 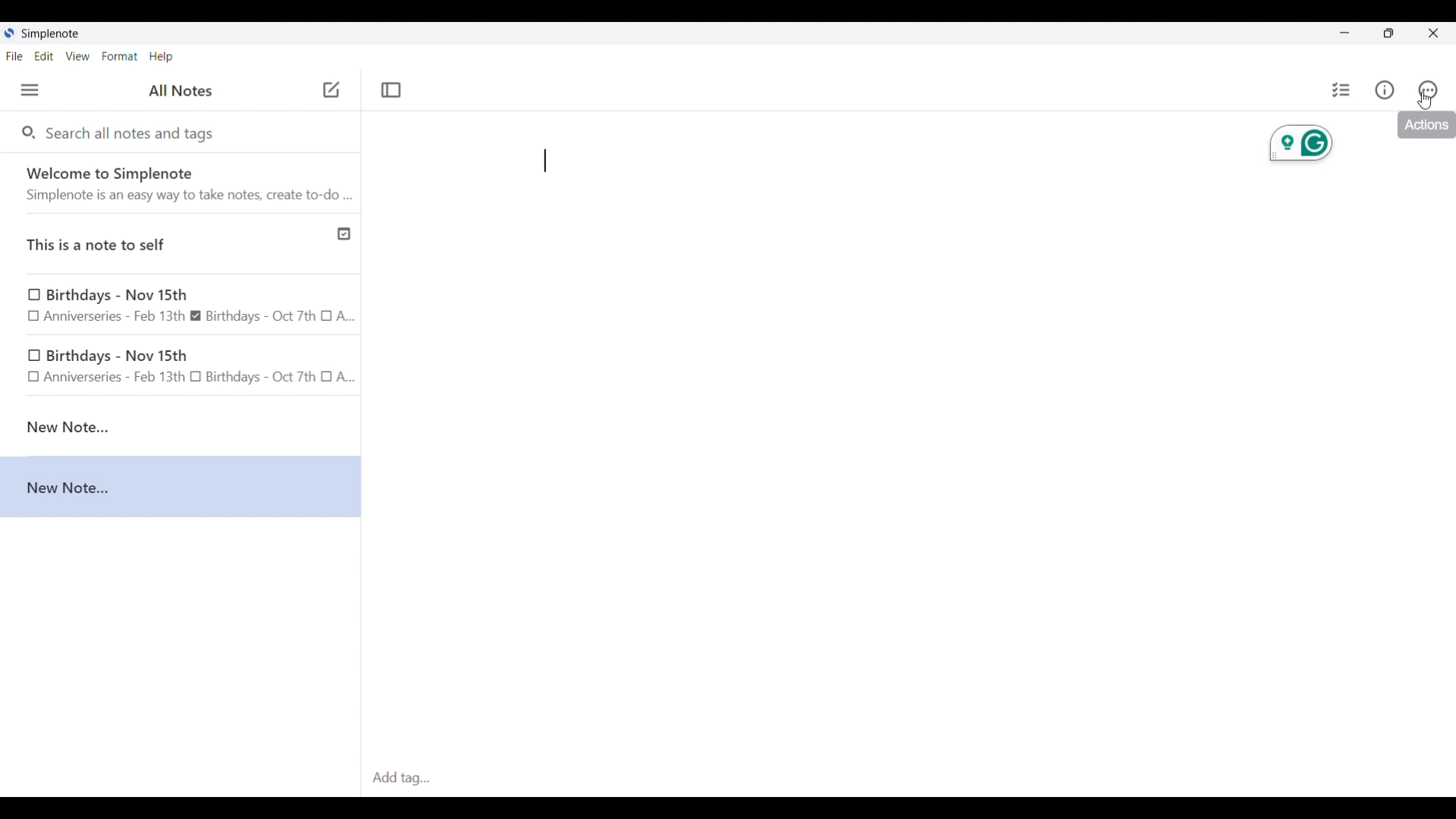 I want to click on Click to add new note, so click(x=331, y=89).